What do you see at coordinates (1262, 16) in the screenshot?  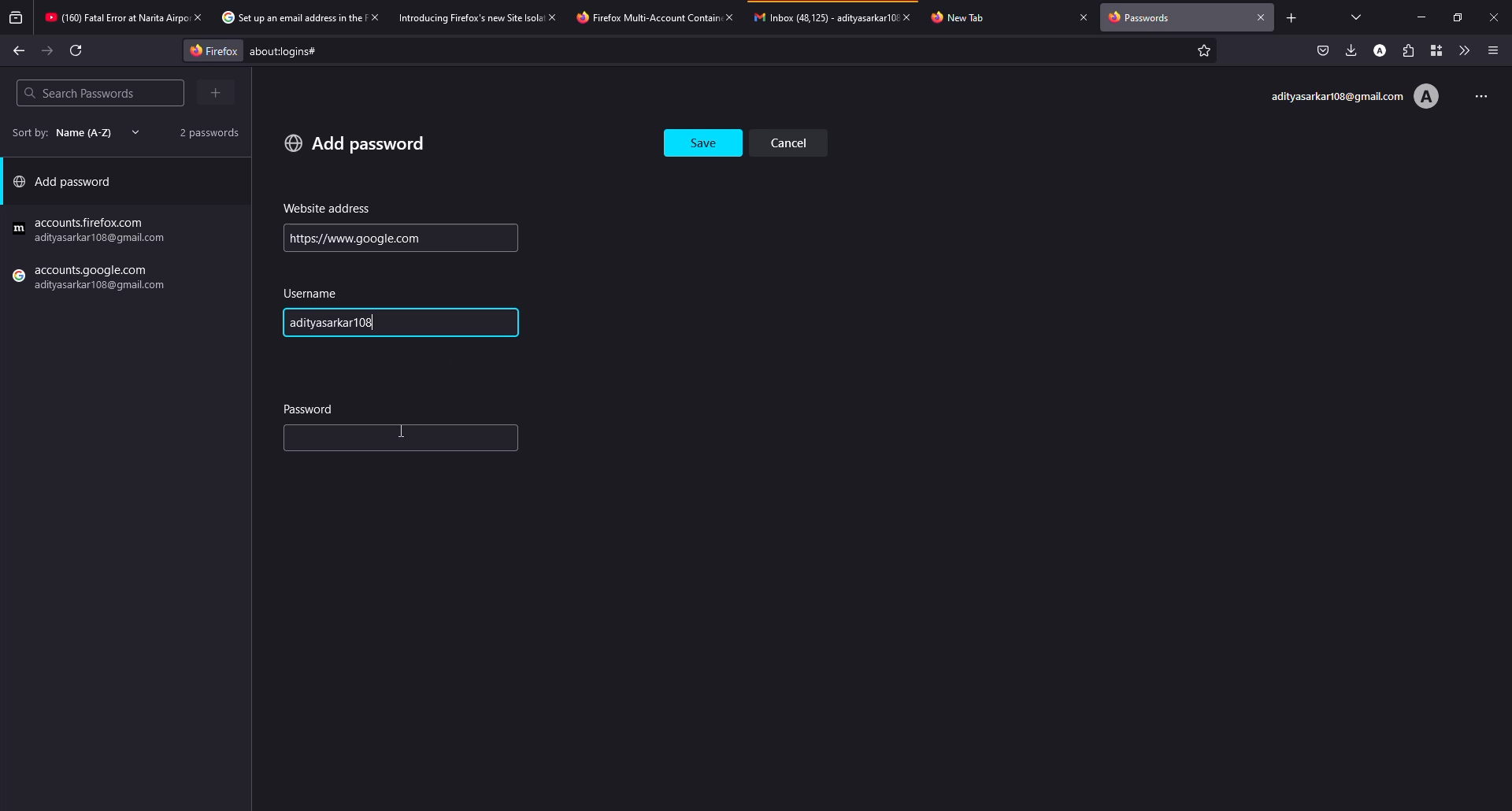 I see `close` at bounding box center [1262, 16].